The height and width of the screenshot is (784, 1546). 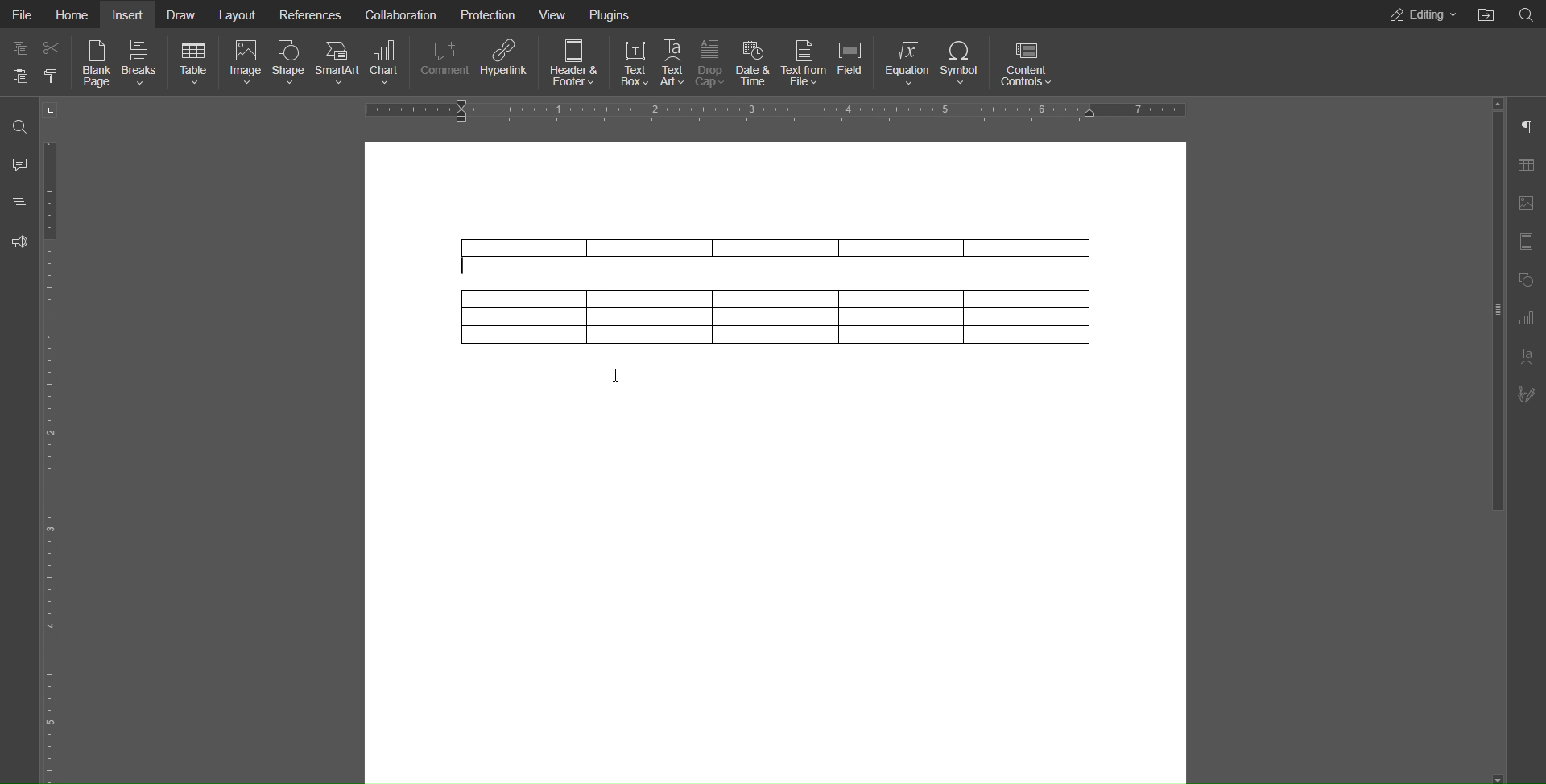 What do you see at coordinates (14, 200) in the screenshot?
I see `Headings` at bounding box center [14, 200].